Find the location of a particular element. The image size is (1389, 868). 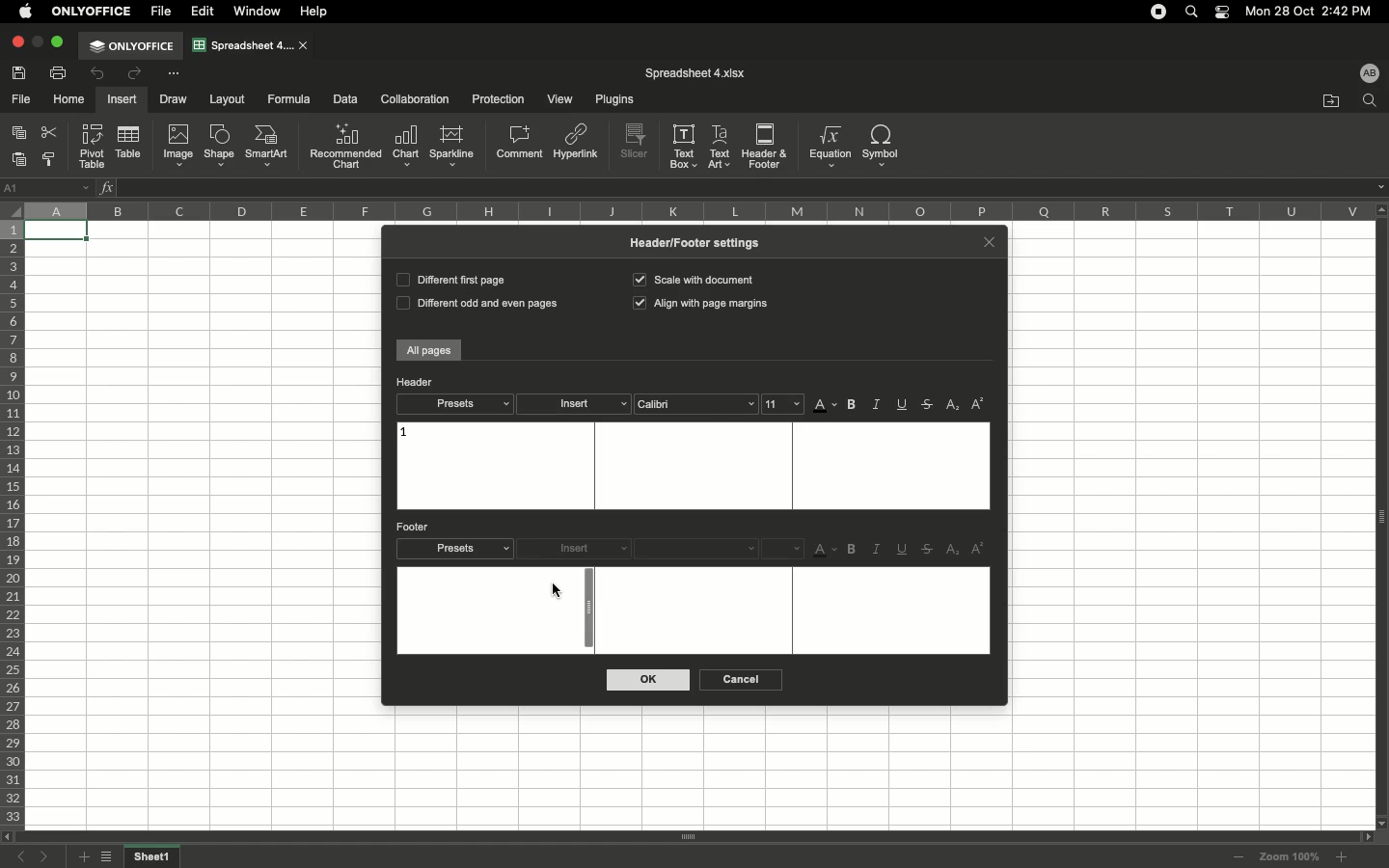

Home is located at coordinates (69, 100).